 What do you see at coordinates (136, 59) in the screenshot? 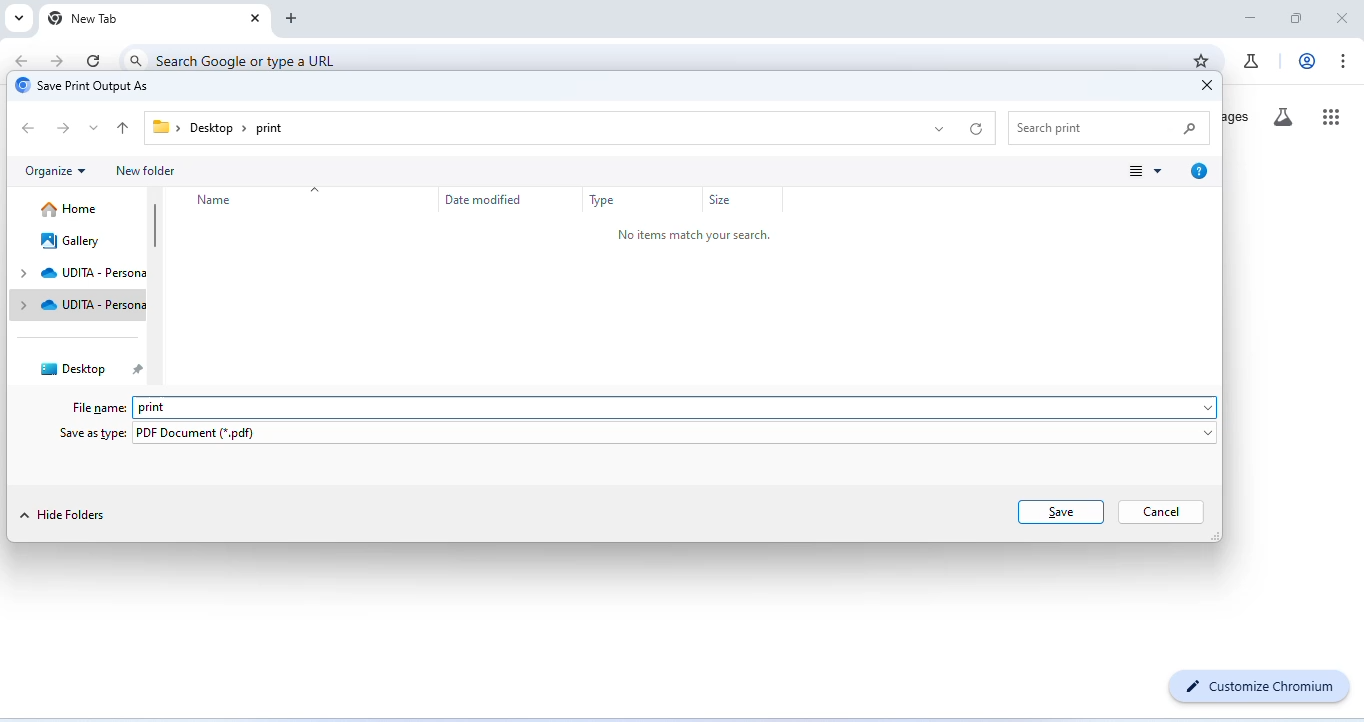
I see `search icon` at bounding box center [136, 59].